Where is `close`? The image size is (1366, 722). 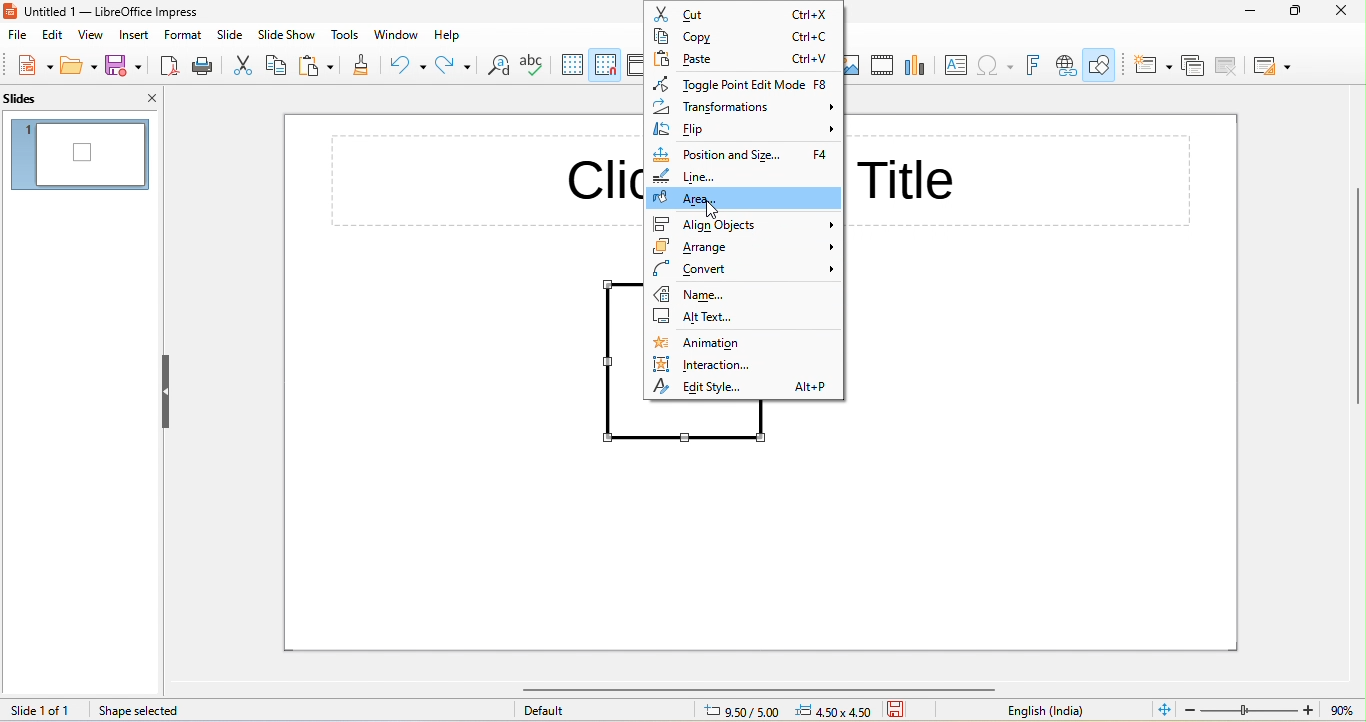
close is located at coordinates (1345, 12).